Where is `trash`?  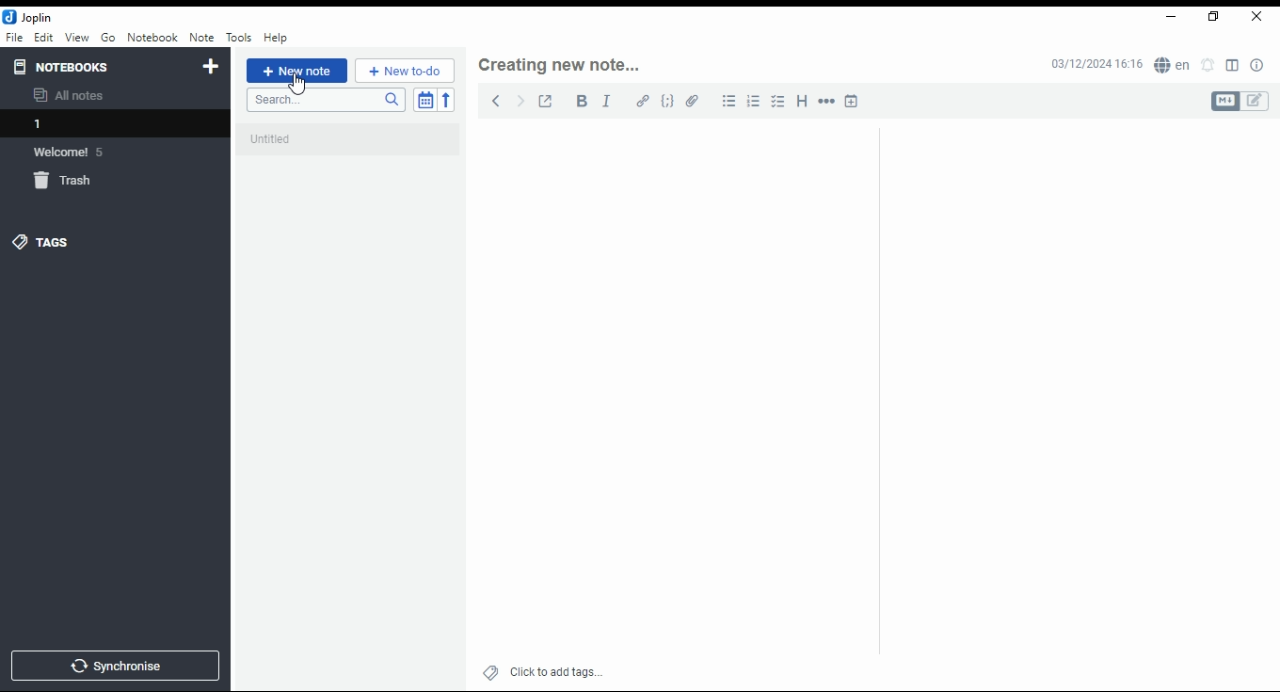
trash is located at coordinates (74, 184).